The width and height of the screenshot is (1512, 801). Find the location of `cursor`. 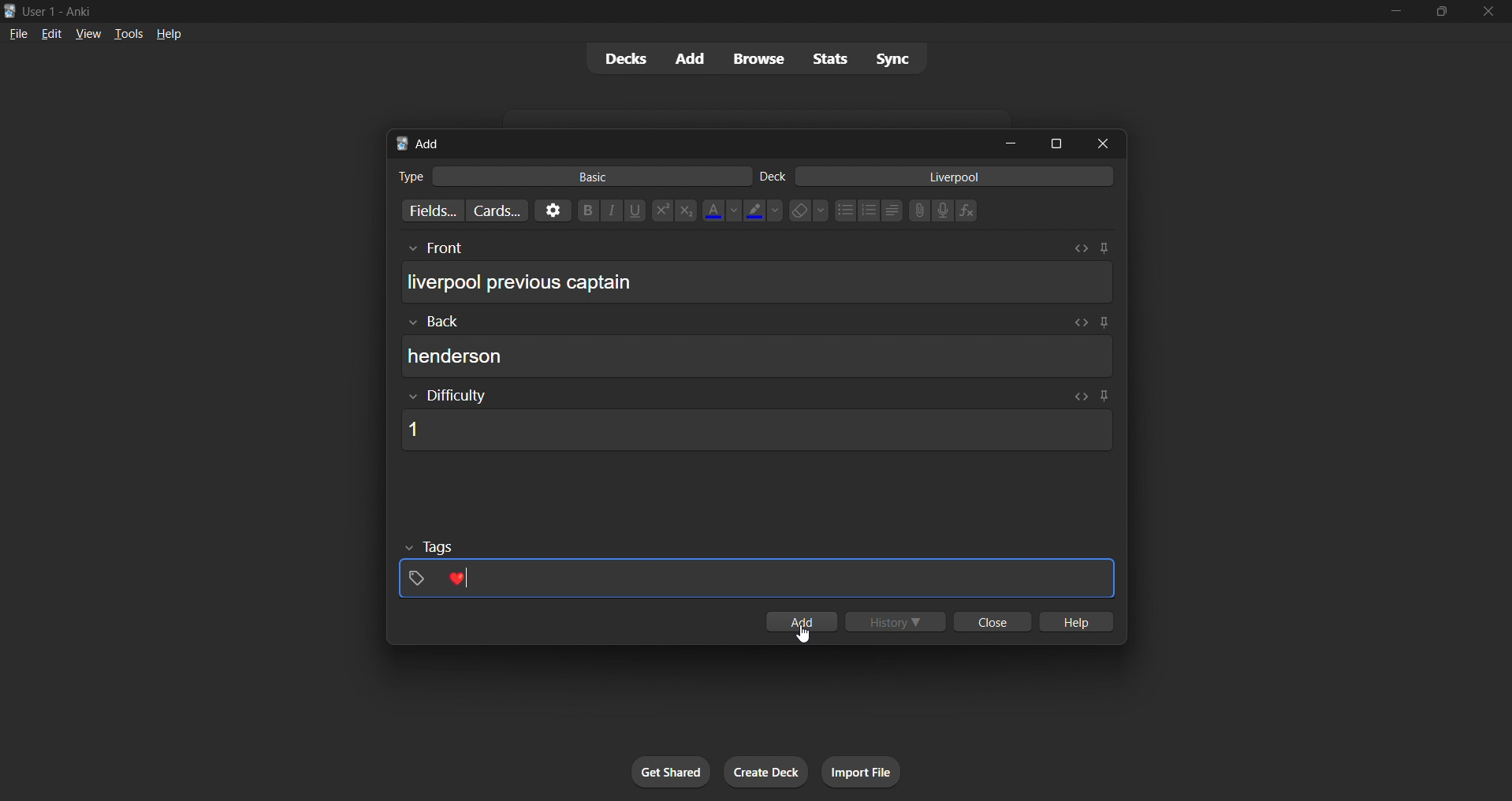

cursor is located at coordinates (807, 635).